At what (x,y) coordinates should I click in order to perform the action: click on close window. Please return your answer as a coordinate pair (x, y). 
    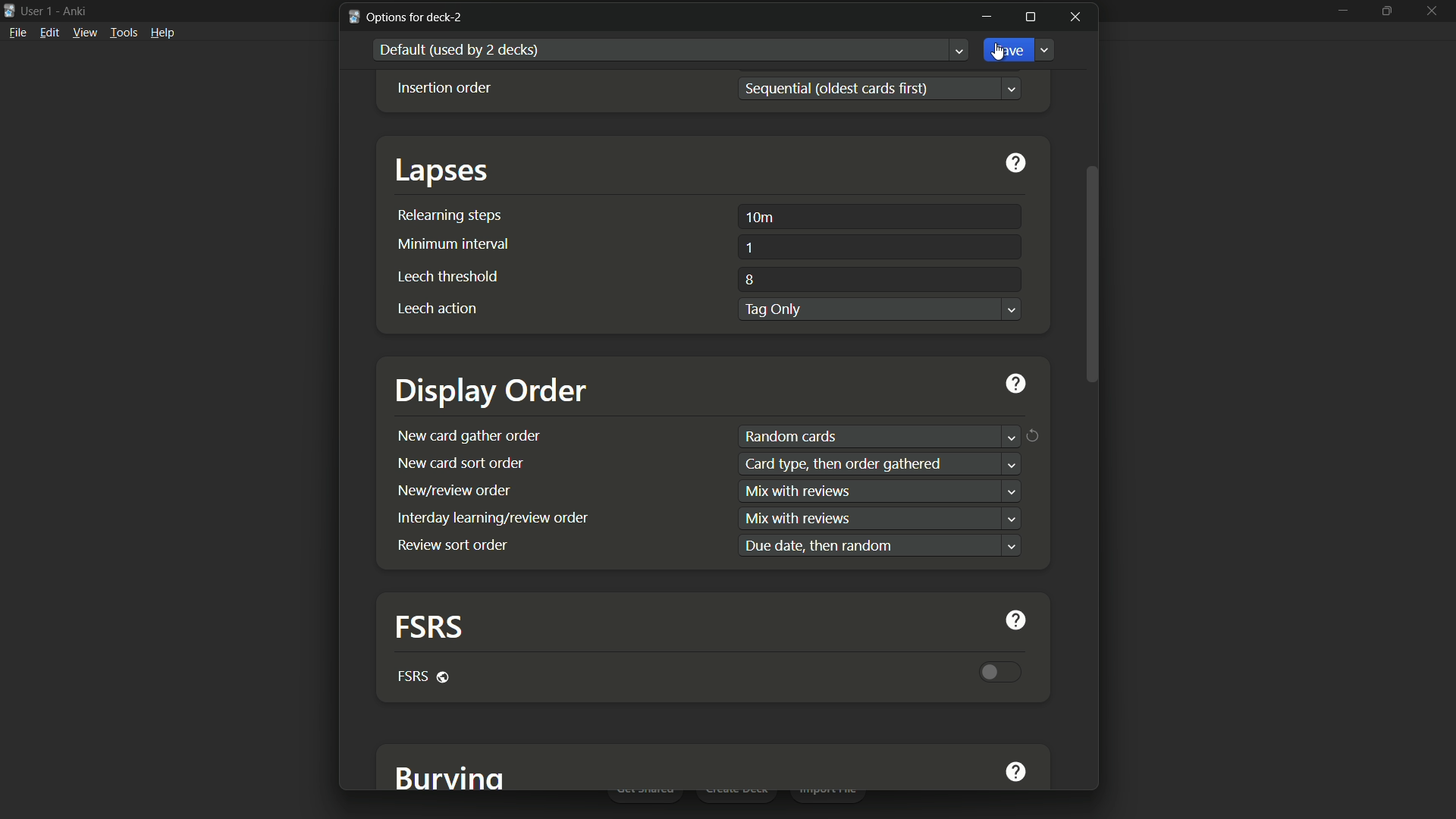
    Looking at the image, I should click on (1075, 17).